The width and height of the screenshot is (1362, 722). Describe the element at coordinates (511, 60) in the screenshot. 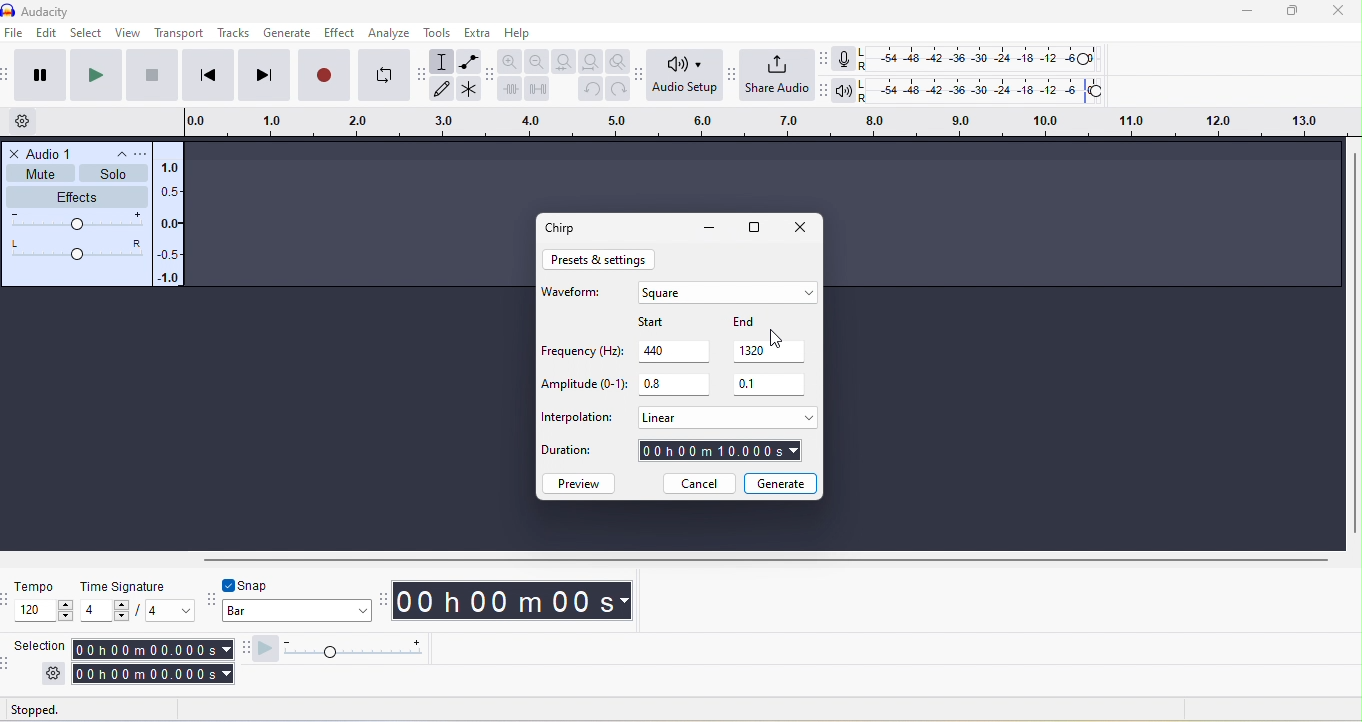

I see `zoom in ` at that location.